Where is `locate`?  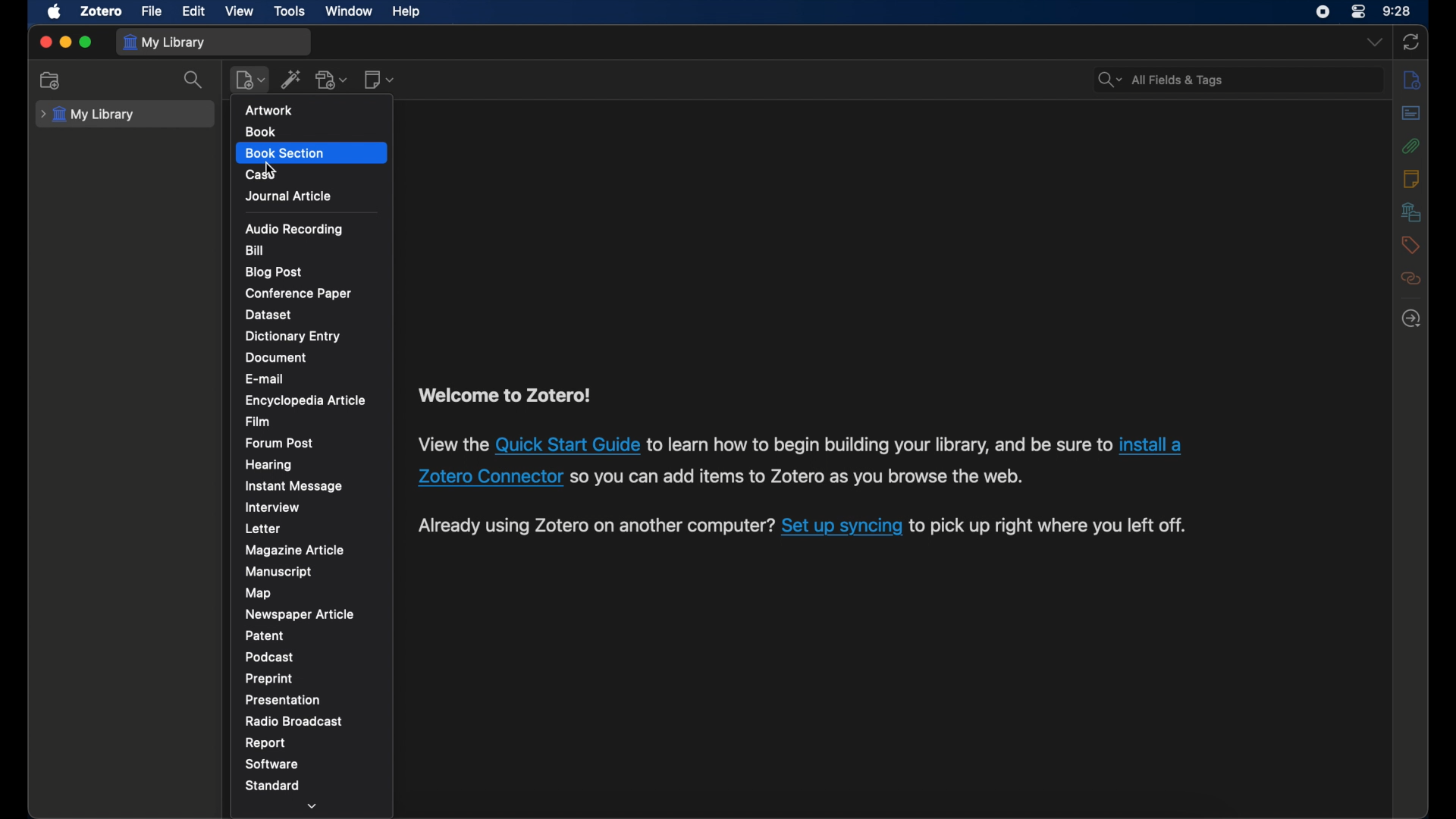
locate is located at coordinates (1411, 318).